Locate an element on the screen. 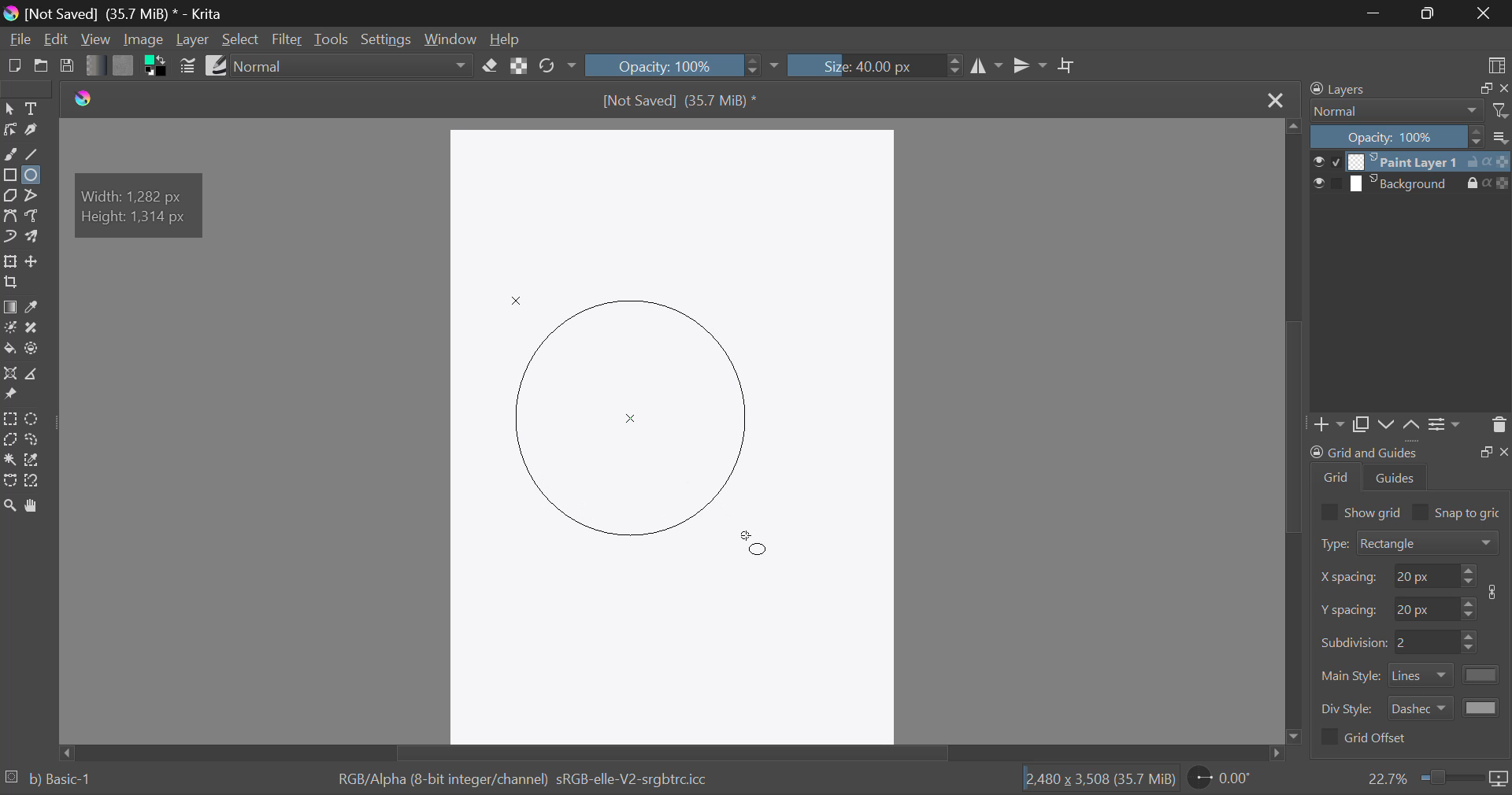 This screenshot has width=1512, height=795. Lock Alpha is located at coordinates (520, 68).